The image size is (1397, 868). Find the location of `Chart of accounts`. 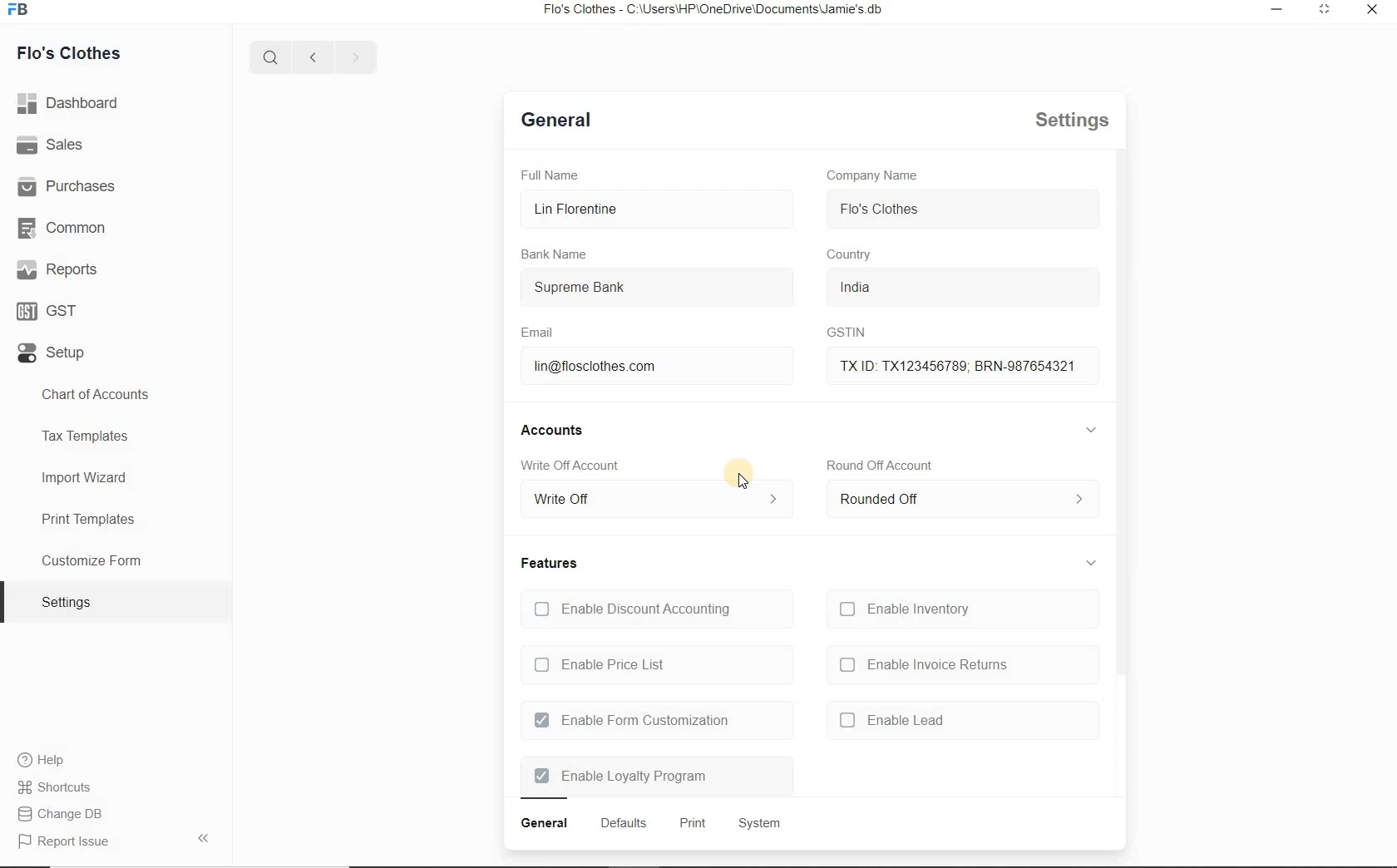

Chart of accounts is located at coordinates (116, 395).